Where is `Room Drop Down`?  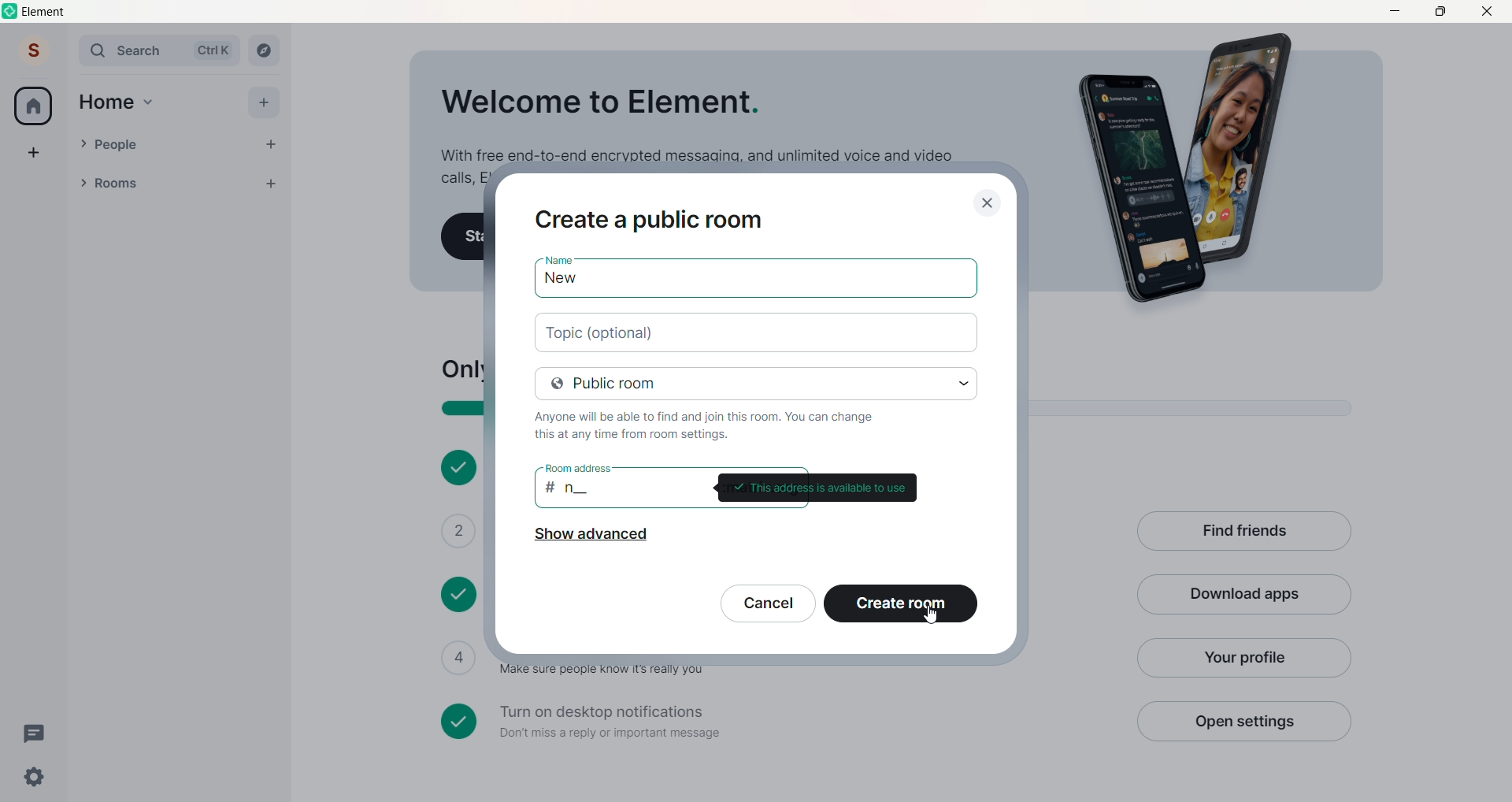
Room Drop Down is located at coordinates (83, 183).